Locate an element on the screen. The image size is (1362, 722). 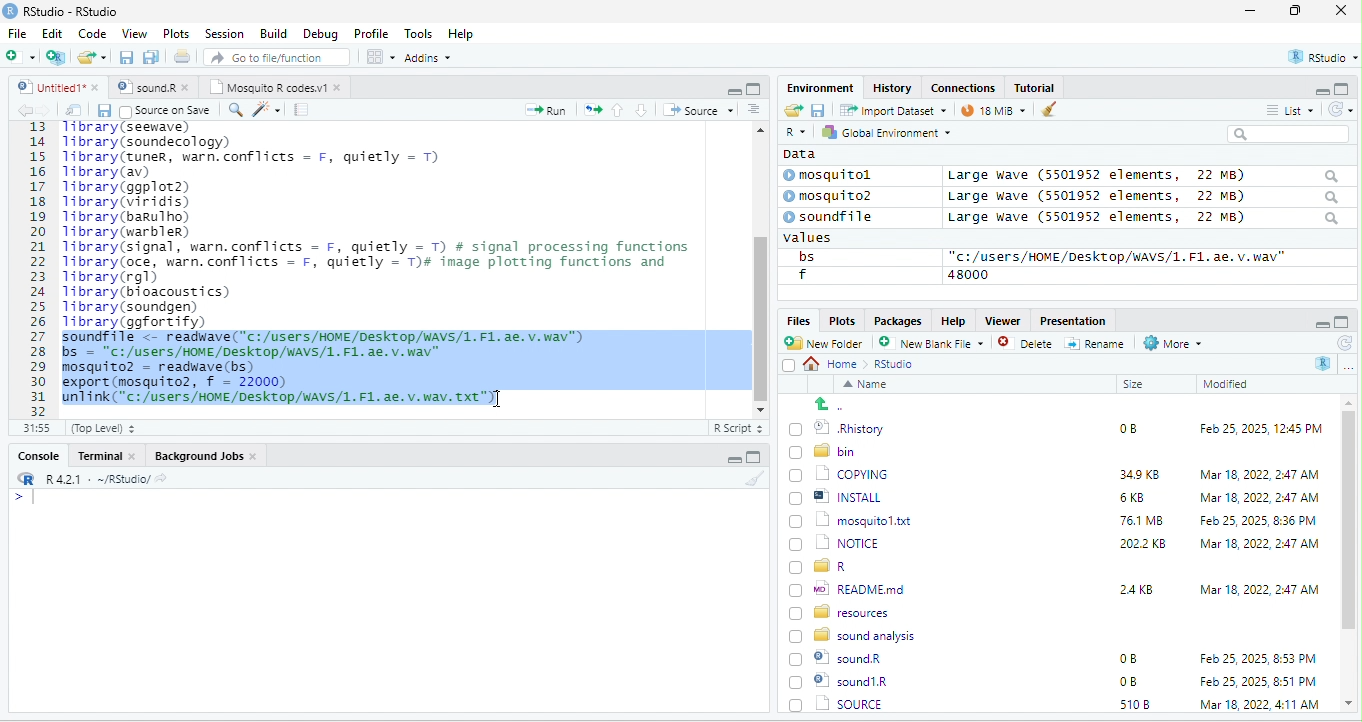
Terminal is located at coordinates (107, 455).